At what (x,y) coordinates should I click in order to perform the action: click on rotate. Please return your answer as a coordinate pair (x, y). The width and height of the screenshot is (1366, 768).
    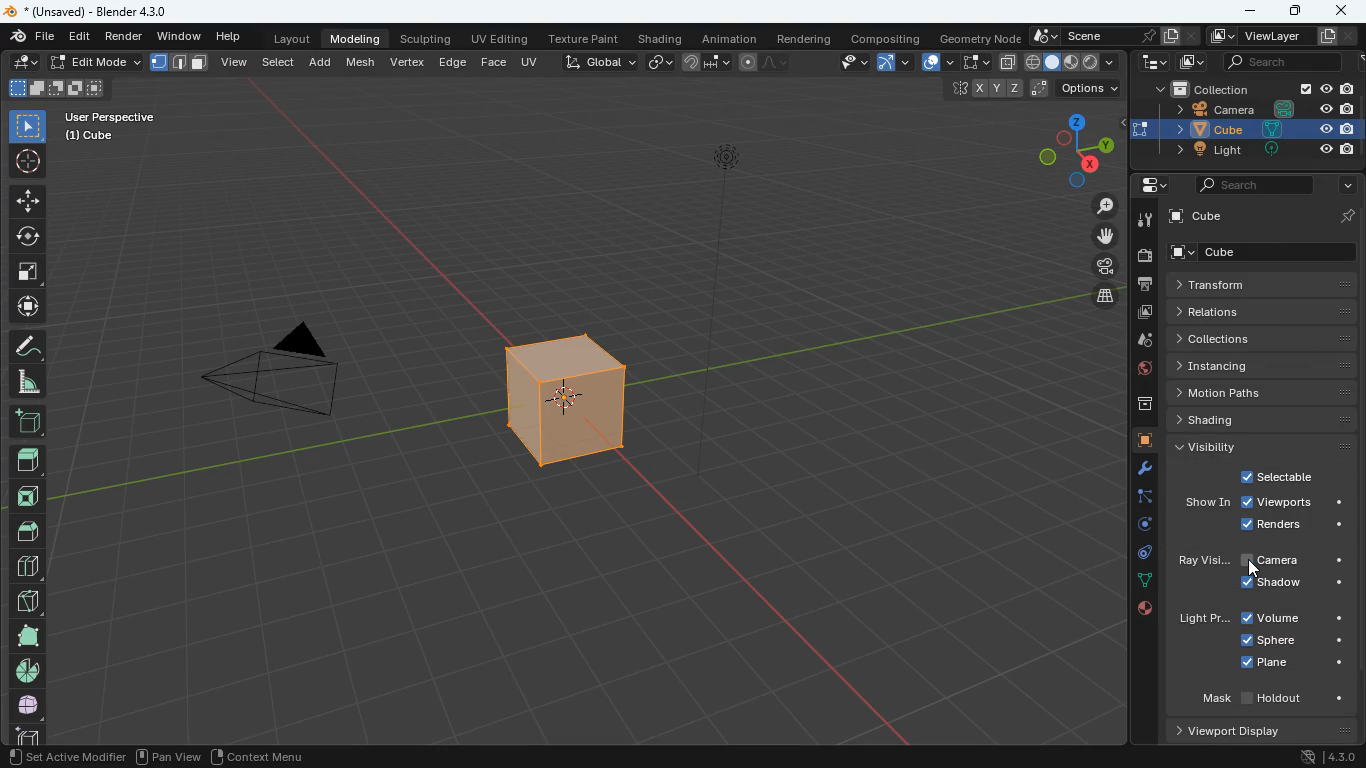
    Looking at the image, I should click on (1141, 526).